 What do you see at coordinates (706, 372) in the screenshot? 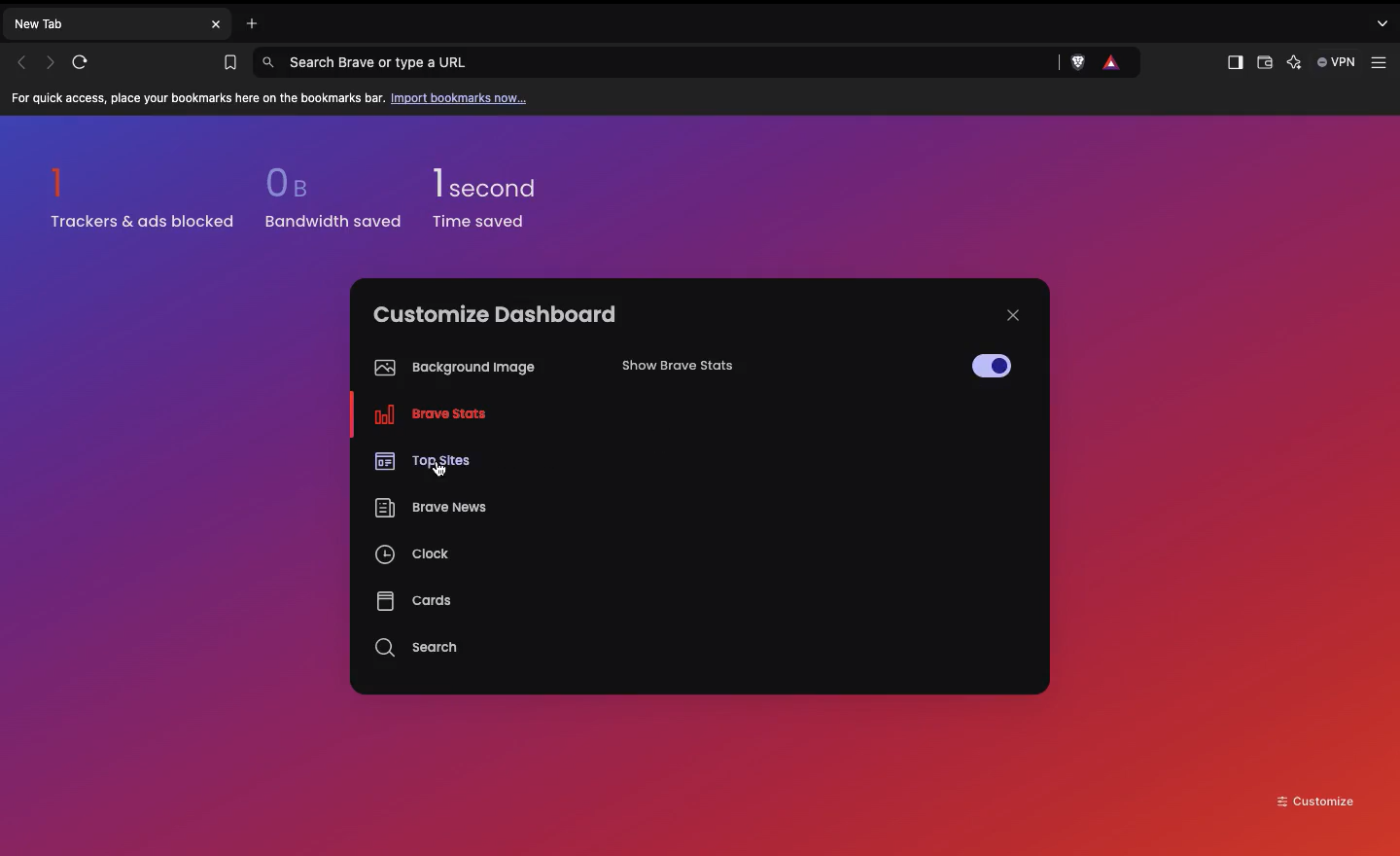
I see `Show brave stats` at bounding box center [706, 372].